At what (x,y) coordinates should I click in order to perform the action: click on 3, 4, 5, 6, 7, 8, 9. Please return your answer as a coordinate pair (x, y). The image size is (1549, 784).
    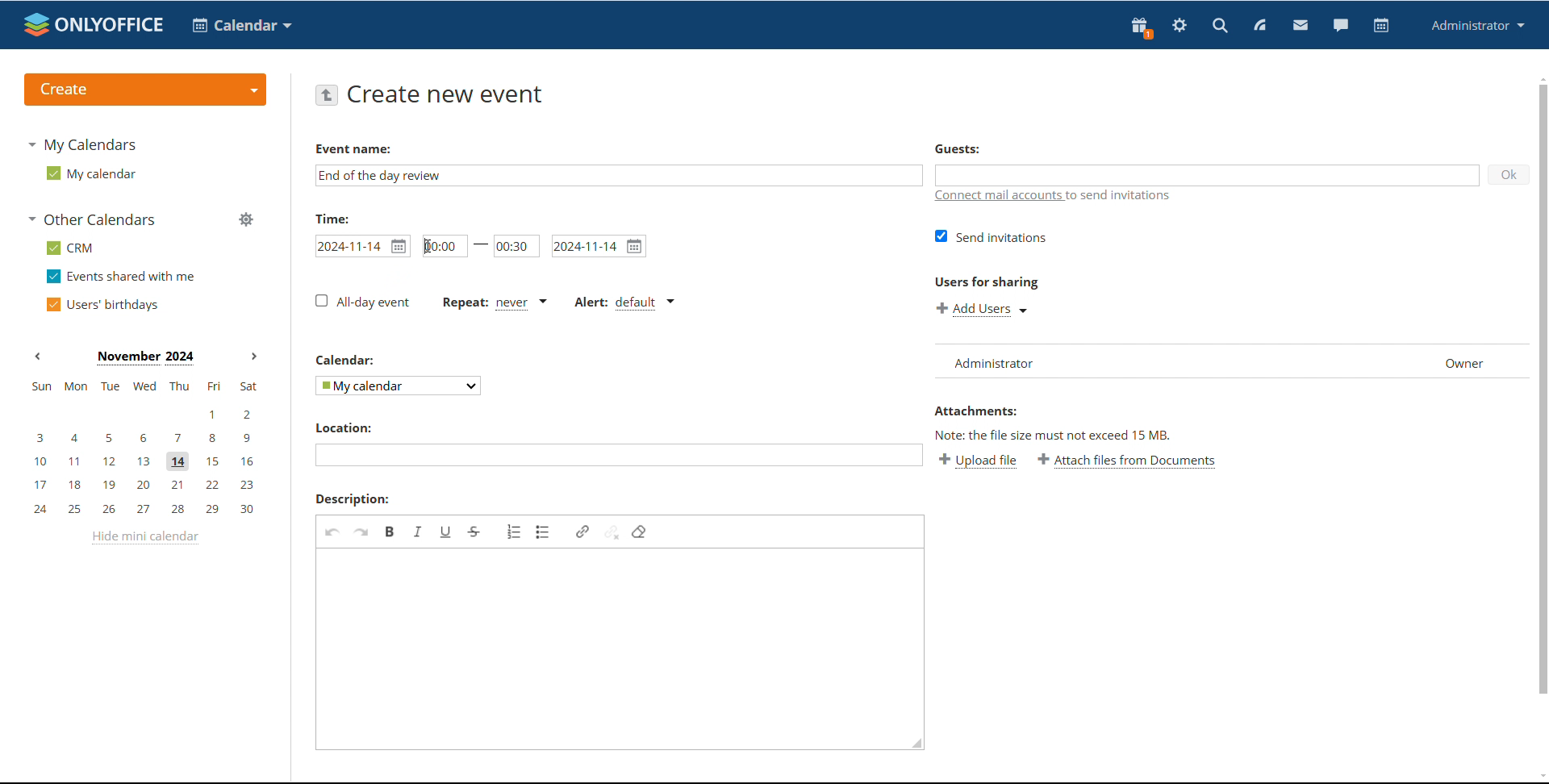
    Looking at the image, I should click on (144, 436).